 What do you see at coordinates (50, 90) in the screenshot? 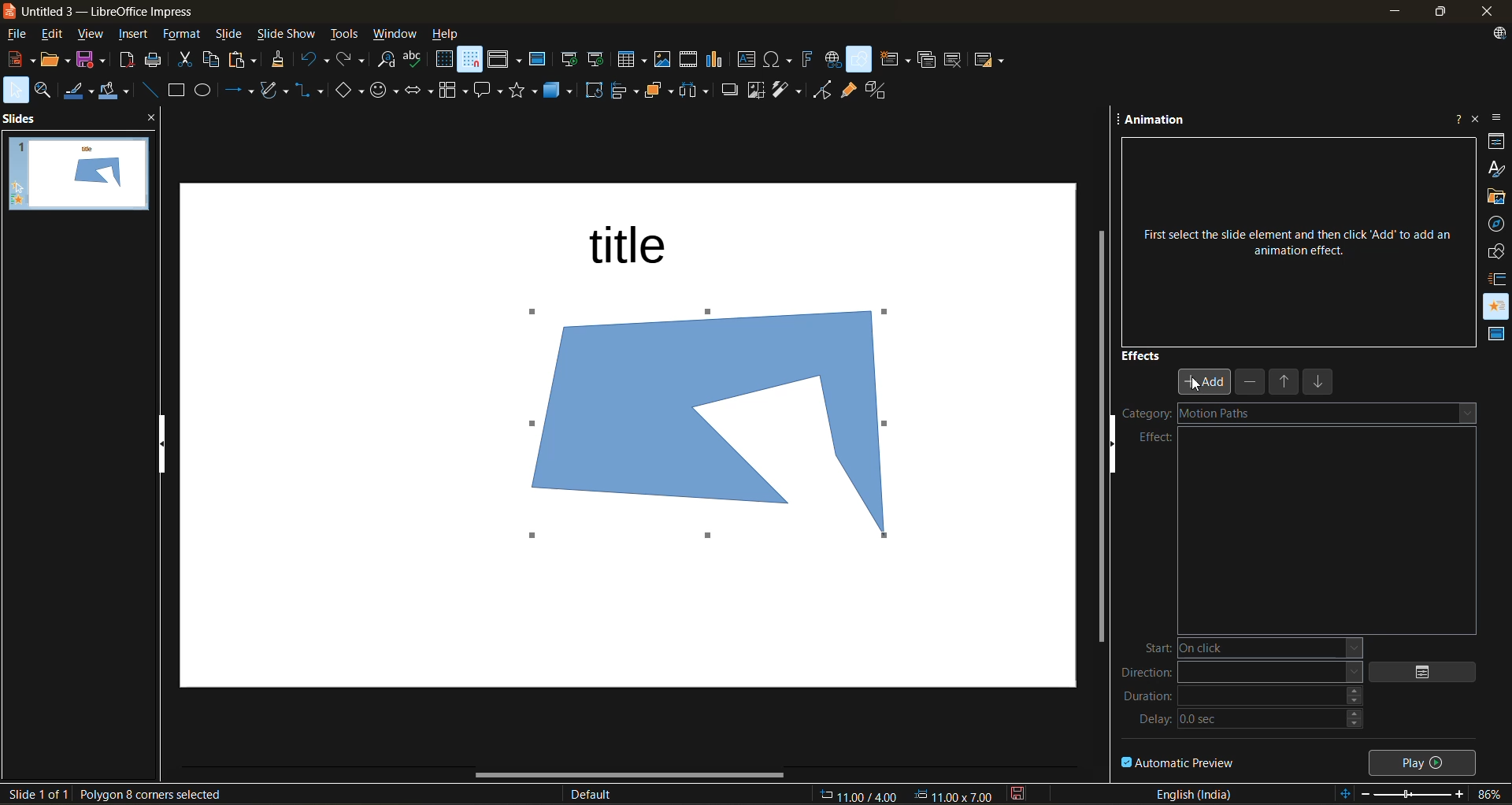
I see `zoom and pan` at bounding box center [50, 90].